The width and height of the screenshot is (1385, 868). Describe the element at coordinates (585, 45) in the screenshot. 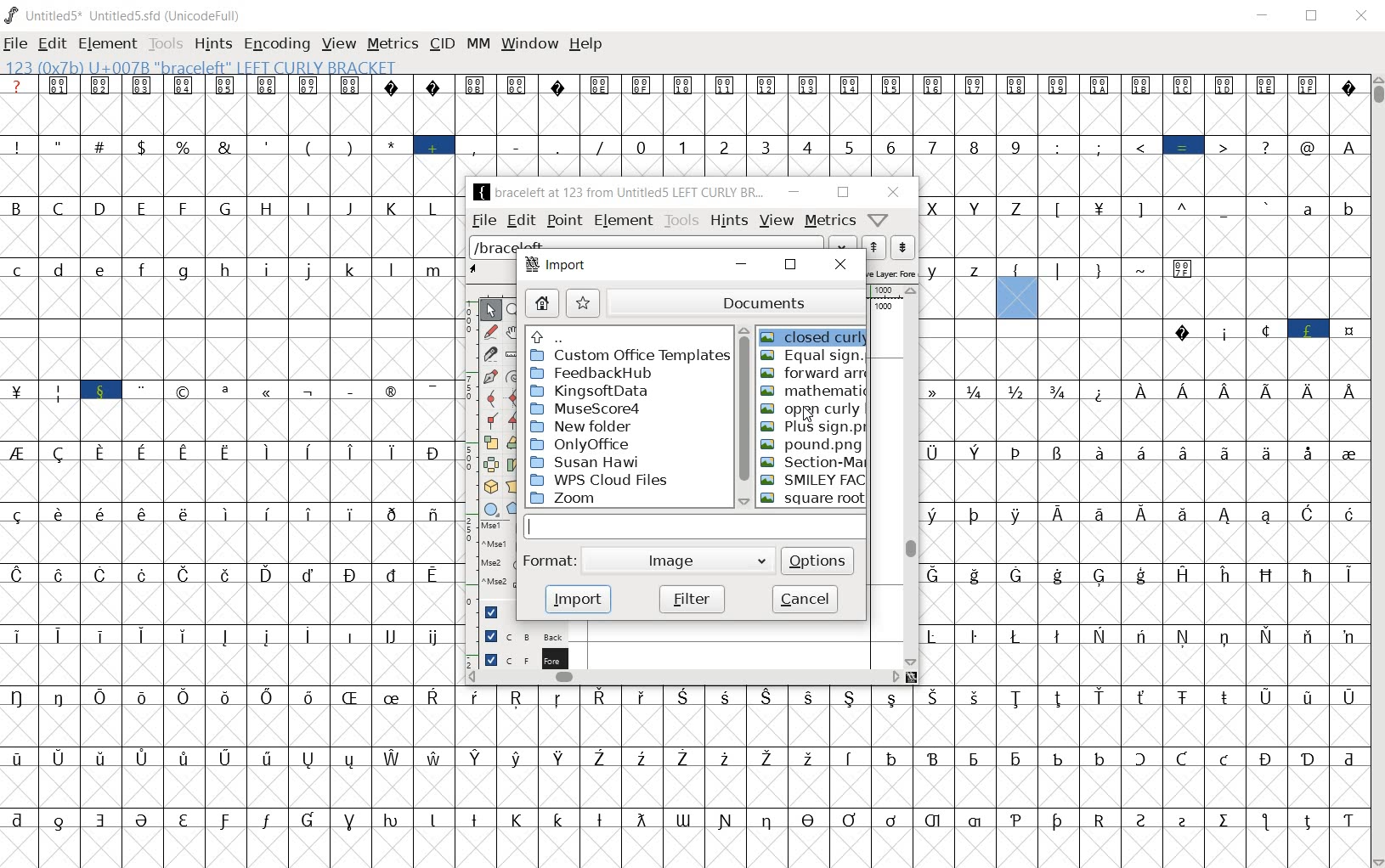

I see `help` at that location.